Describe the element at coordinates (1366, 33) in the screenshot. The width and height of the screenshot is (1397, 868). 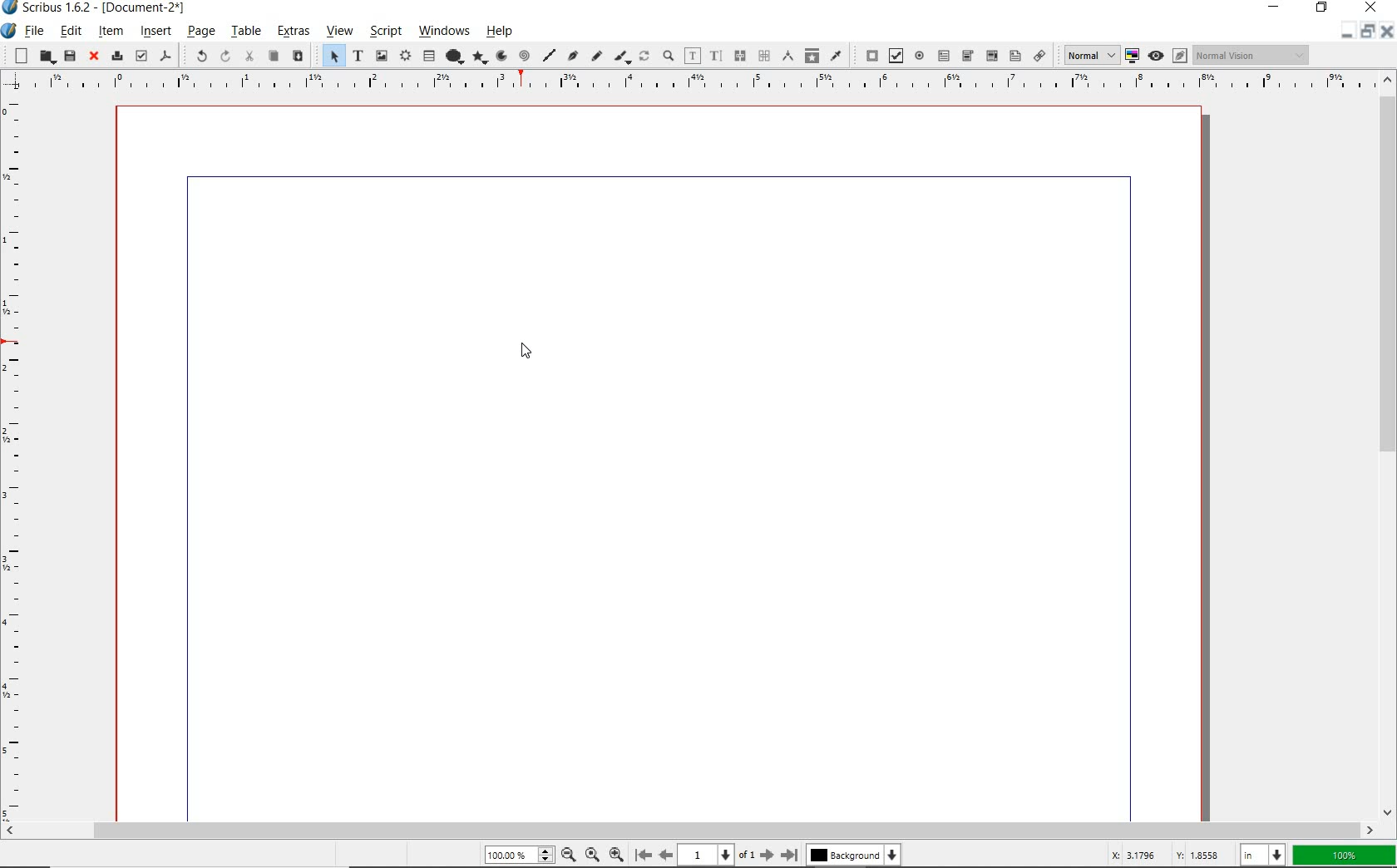
I see `Restore` at that location.